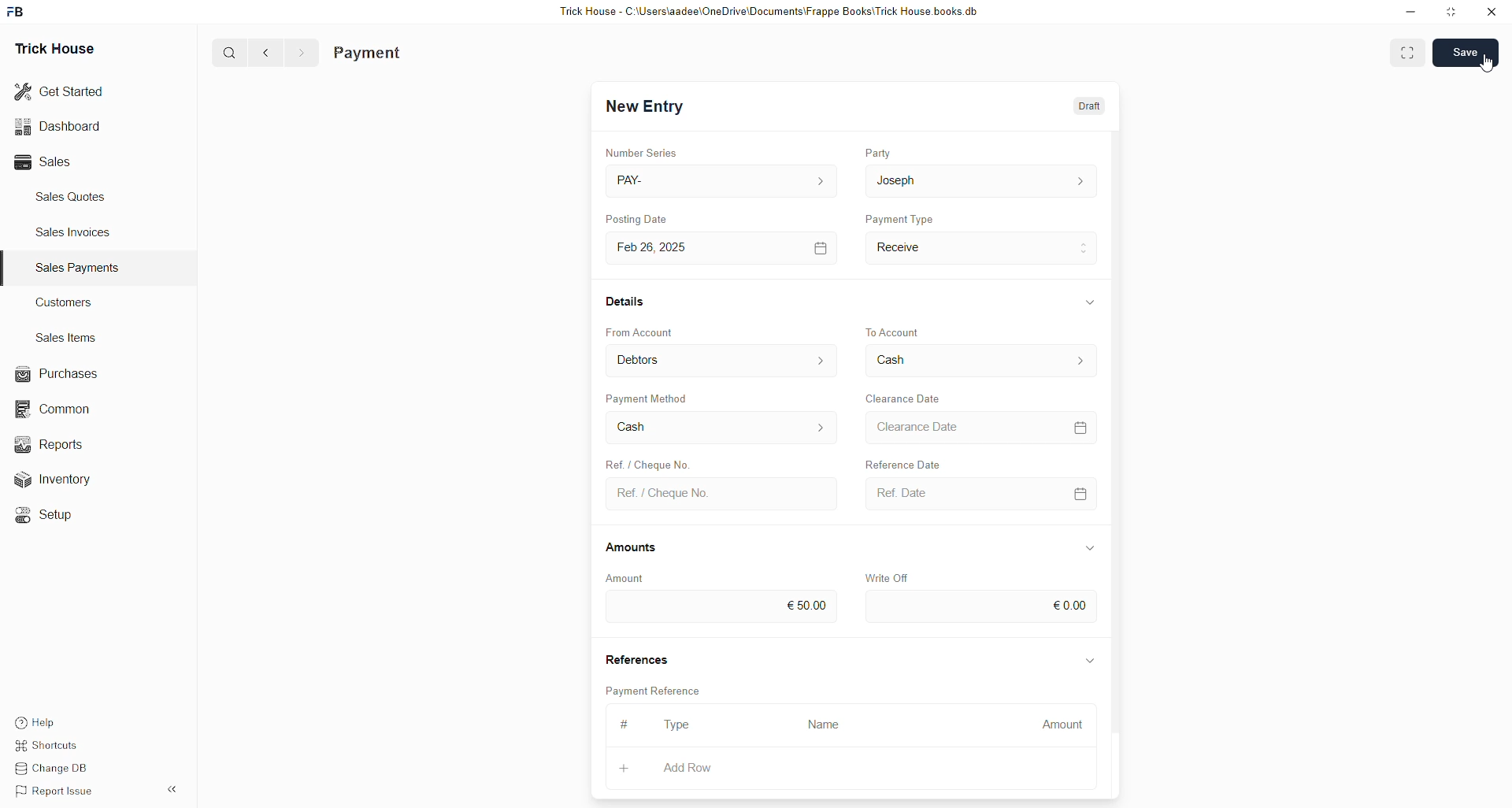  I want to click on Cash, so click(722, 428).